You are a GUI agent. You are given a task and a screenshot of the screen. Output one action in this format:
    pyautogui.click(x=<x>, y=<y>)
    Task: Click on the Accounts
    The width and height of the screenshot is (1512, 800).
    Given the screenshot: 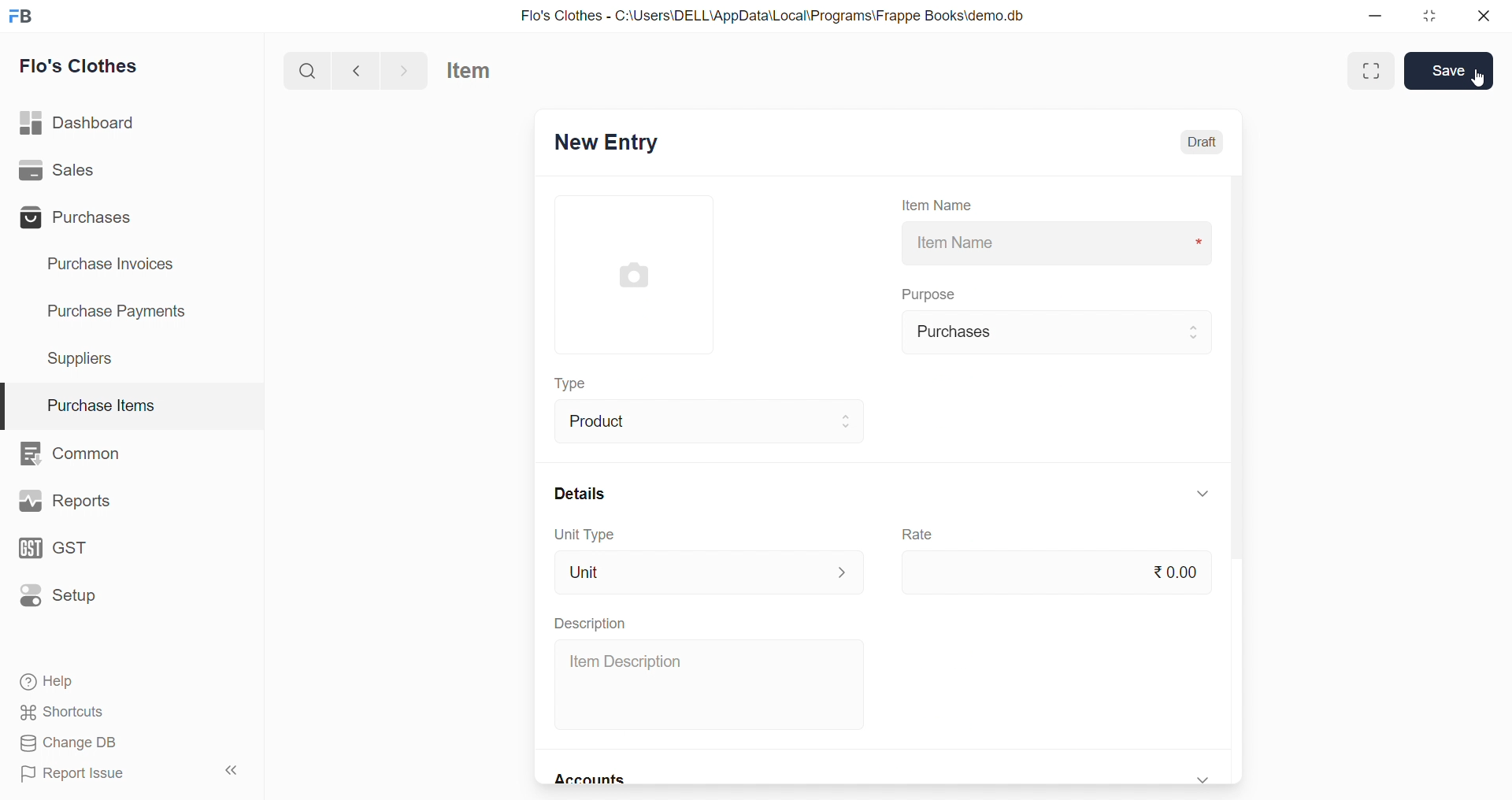 What is the action you would take?
    pyautogui.click(x=595, y=780)
    